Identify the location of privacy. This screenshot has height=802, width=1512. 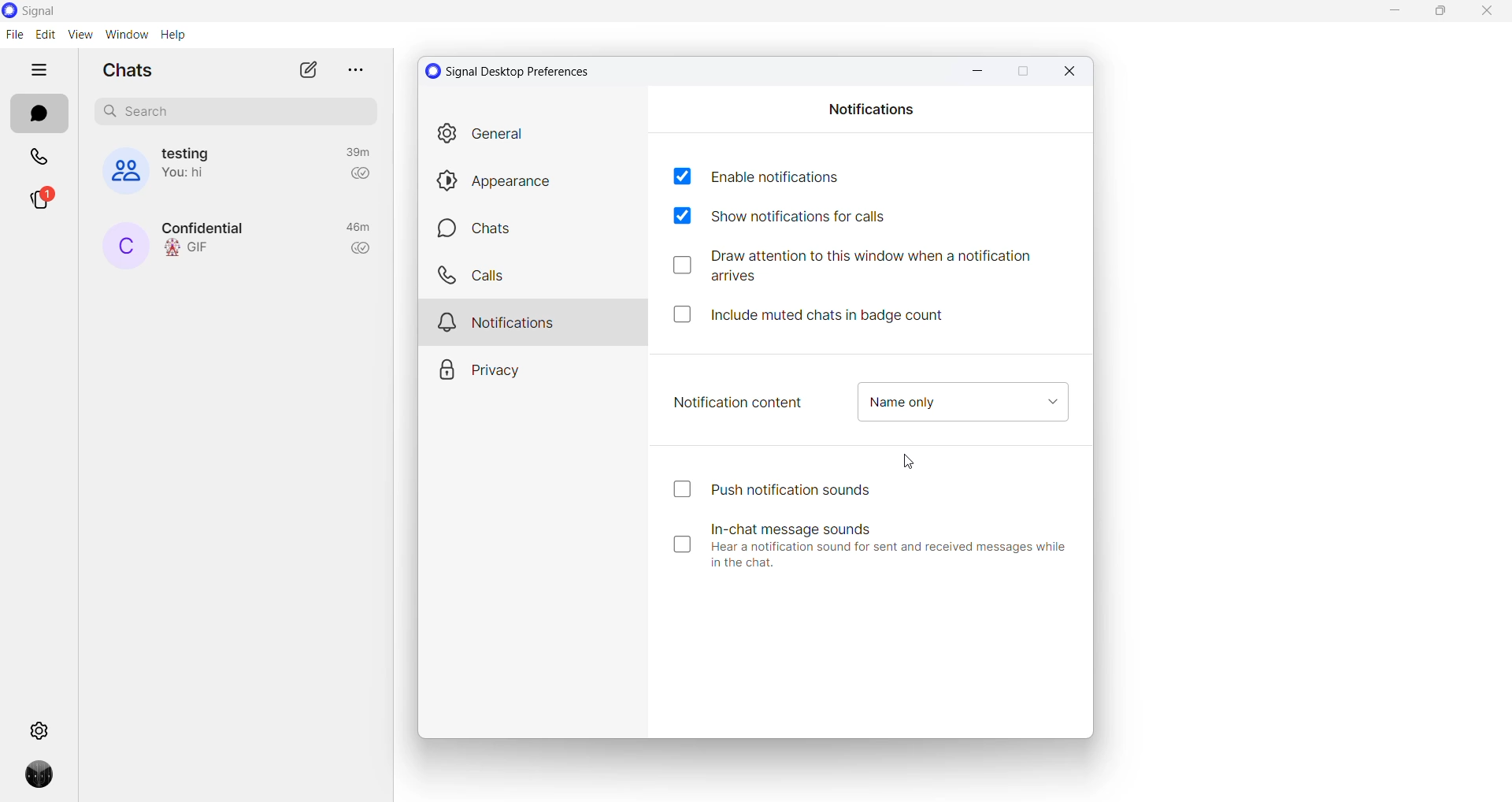
(531, 365).